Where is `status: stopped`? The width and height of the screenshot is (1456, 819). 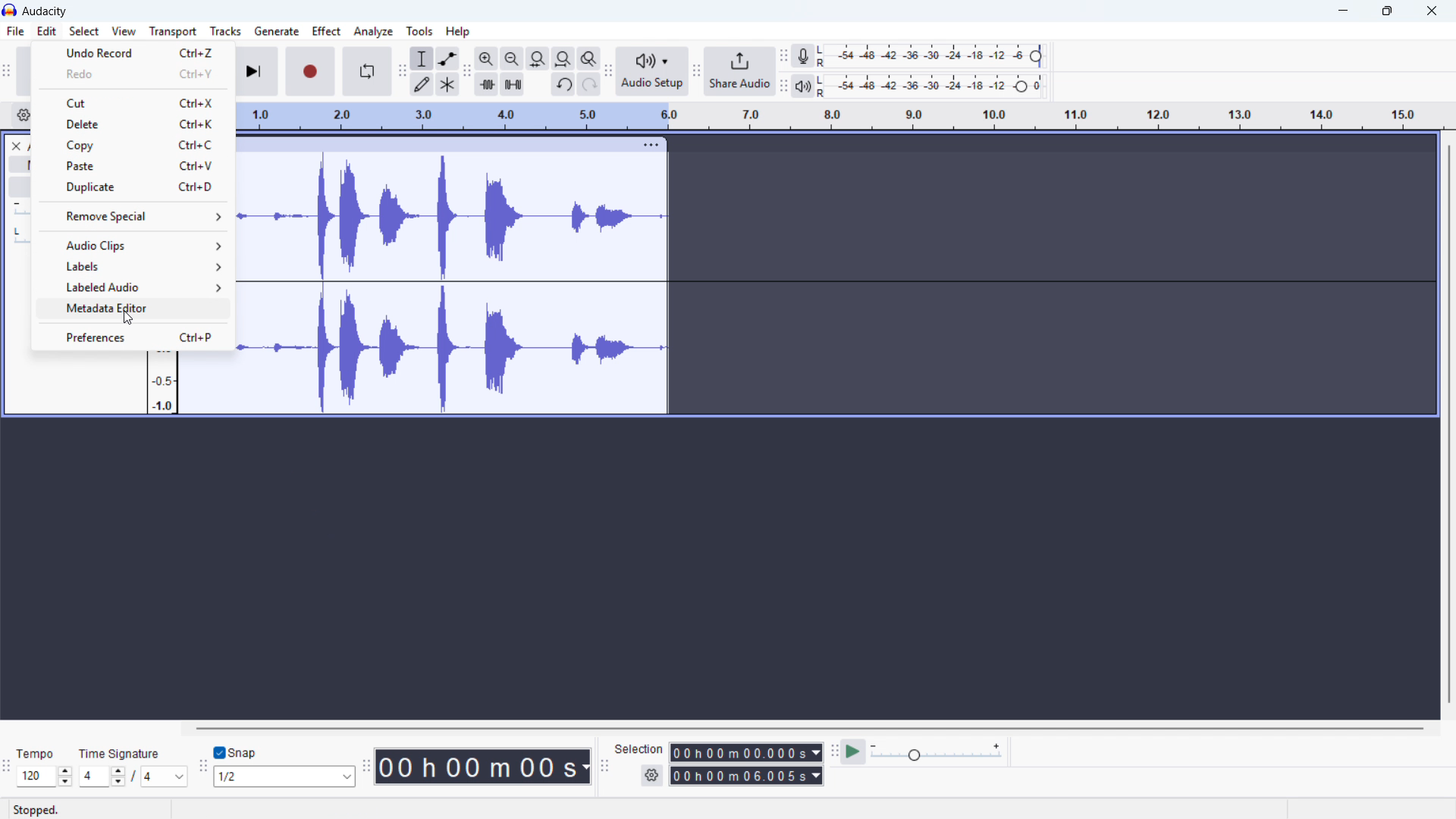
status: stopped is located at coordinates (36, 810).